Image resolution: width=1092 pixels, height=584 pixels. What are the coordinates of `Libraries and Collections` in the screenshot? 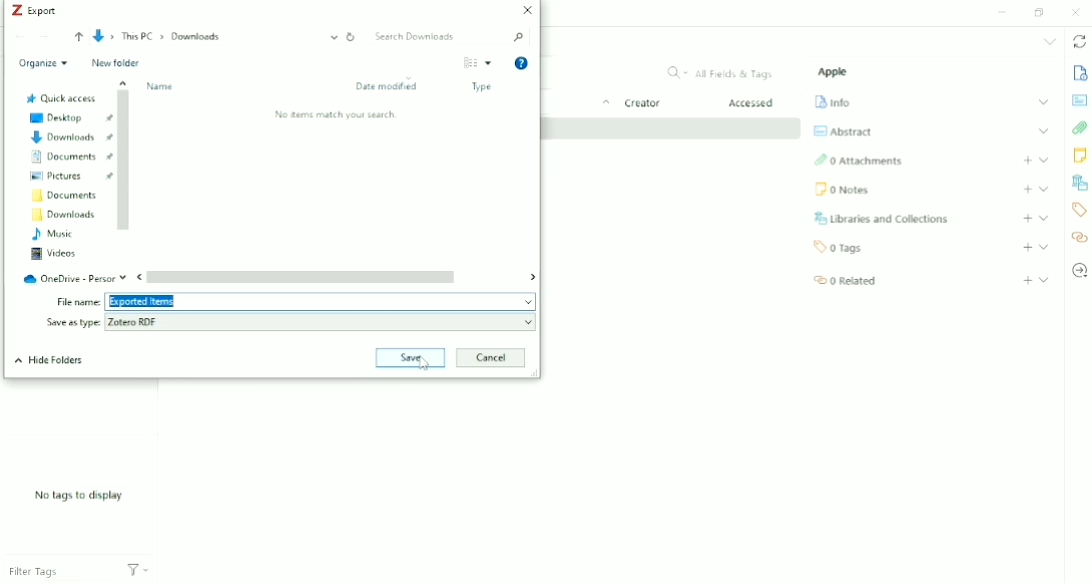 It's located at (1079, 183).